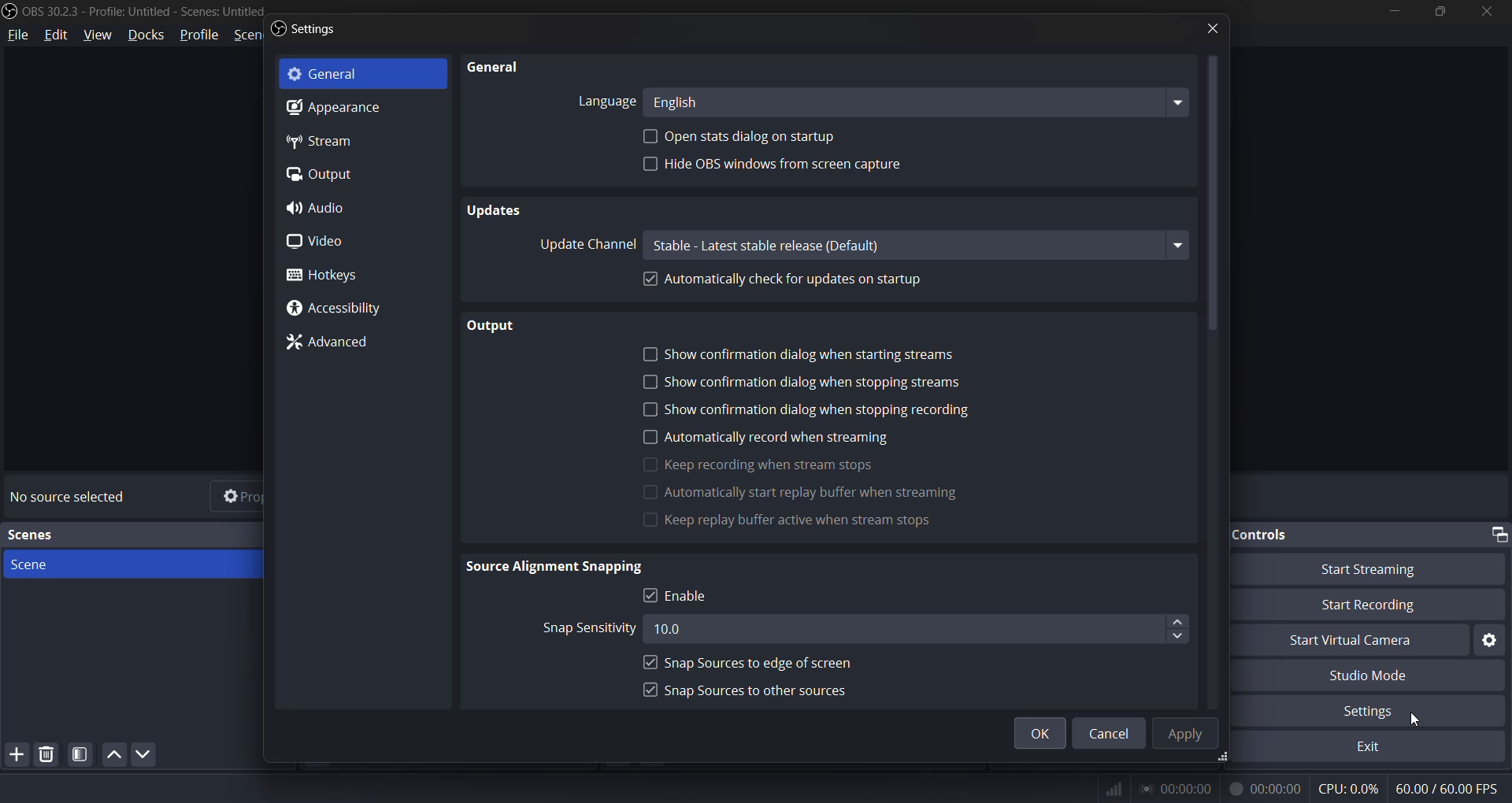  Describe the element at coordinates (649, 356) in the screenshot. I see `checkbox` at that location.